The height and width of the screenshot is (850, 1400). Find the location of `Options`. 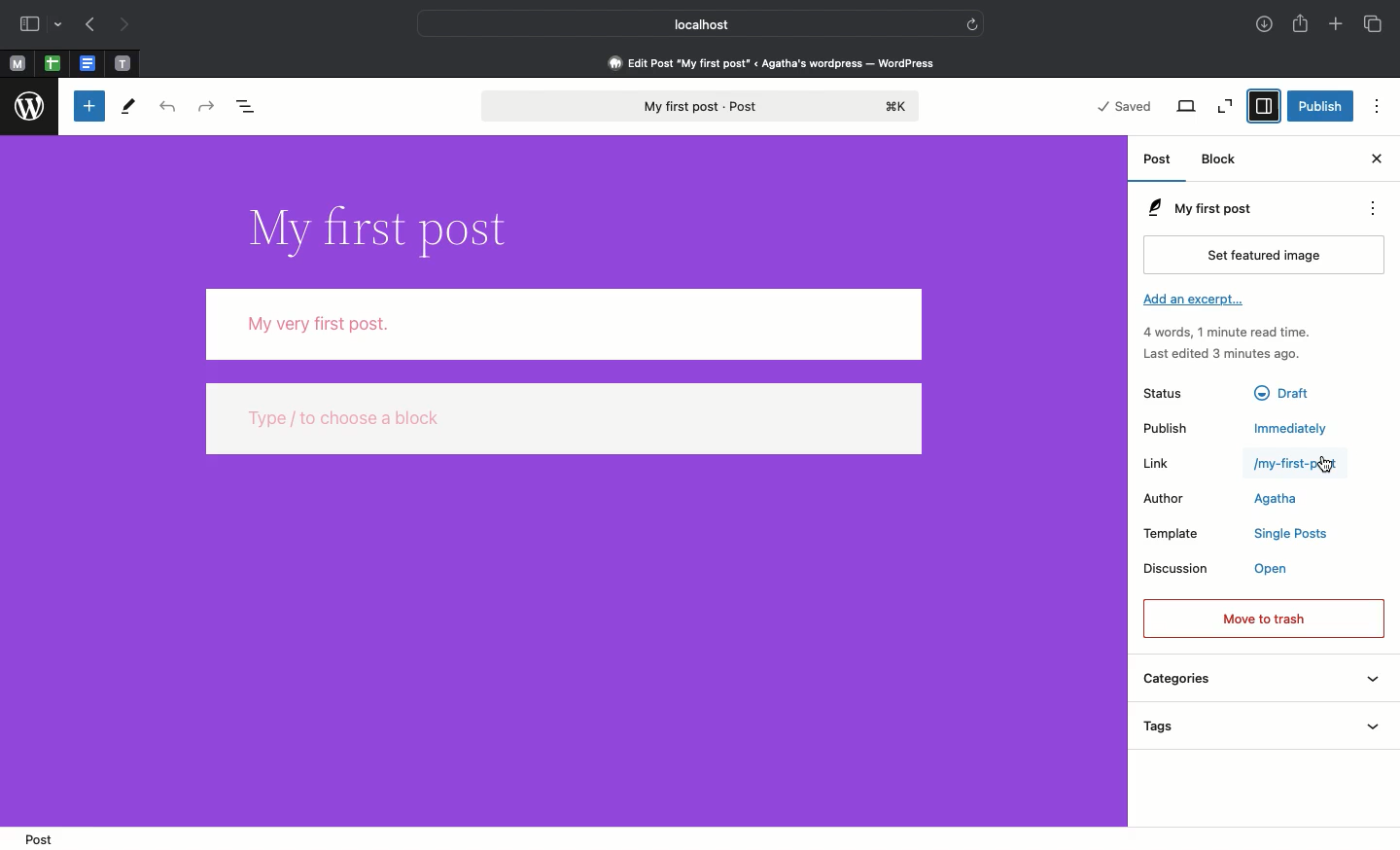

Options is located at coordinates (1379, 105).